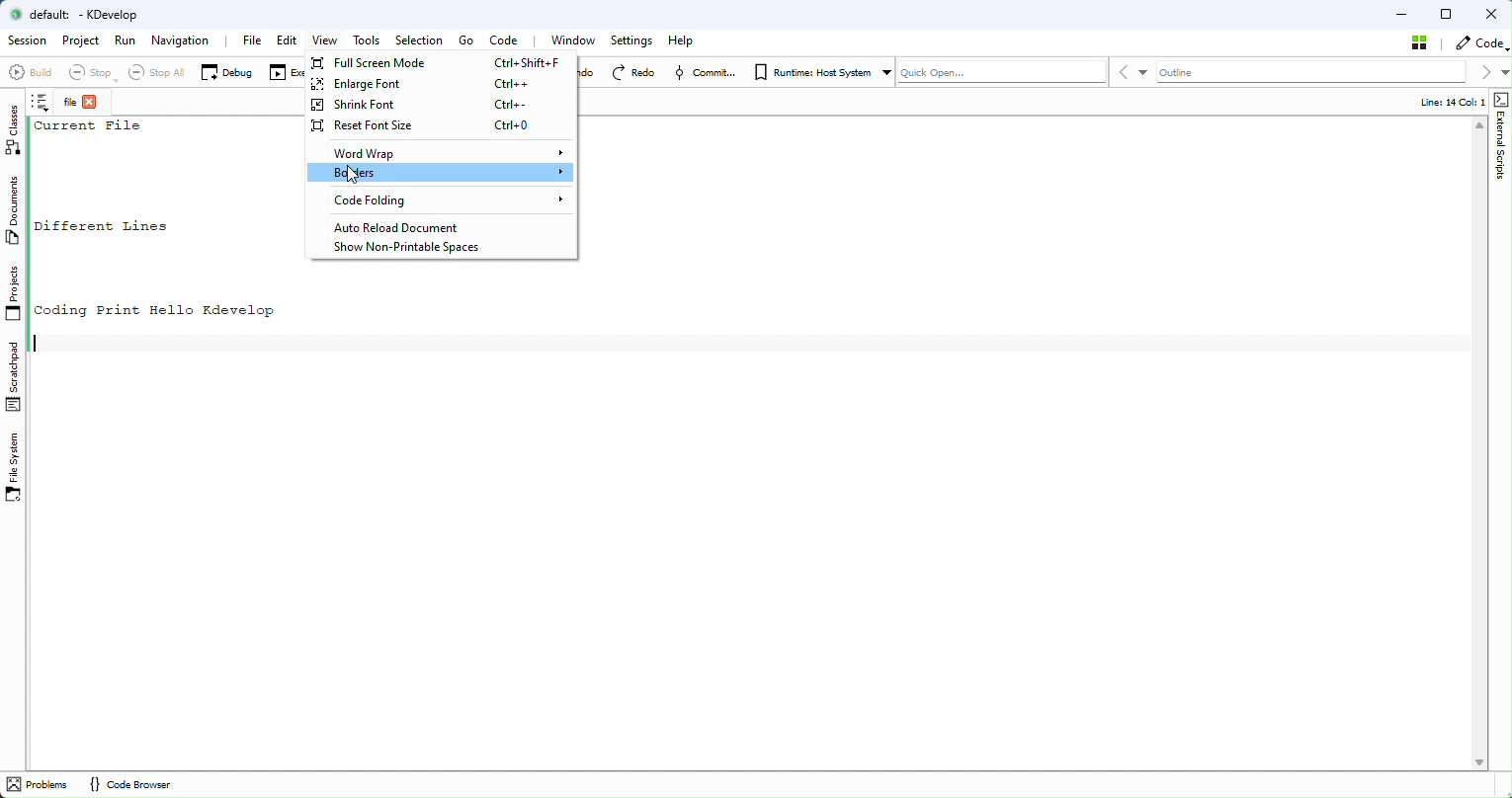  What do you see at coordinates (287, 41) in the screenshot?
I see `Edit` at bounding box center [287, 41].